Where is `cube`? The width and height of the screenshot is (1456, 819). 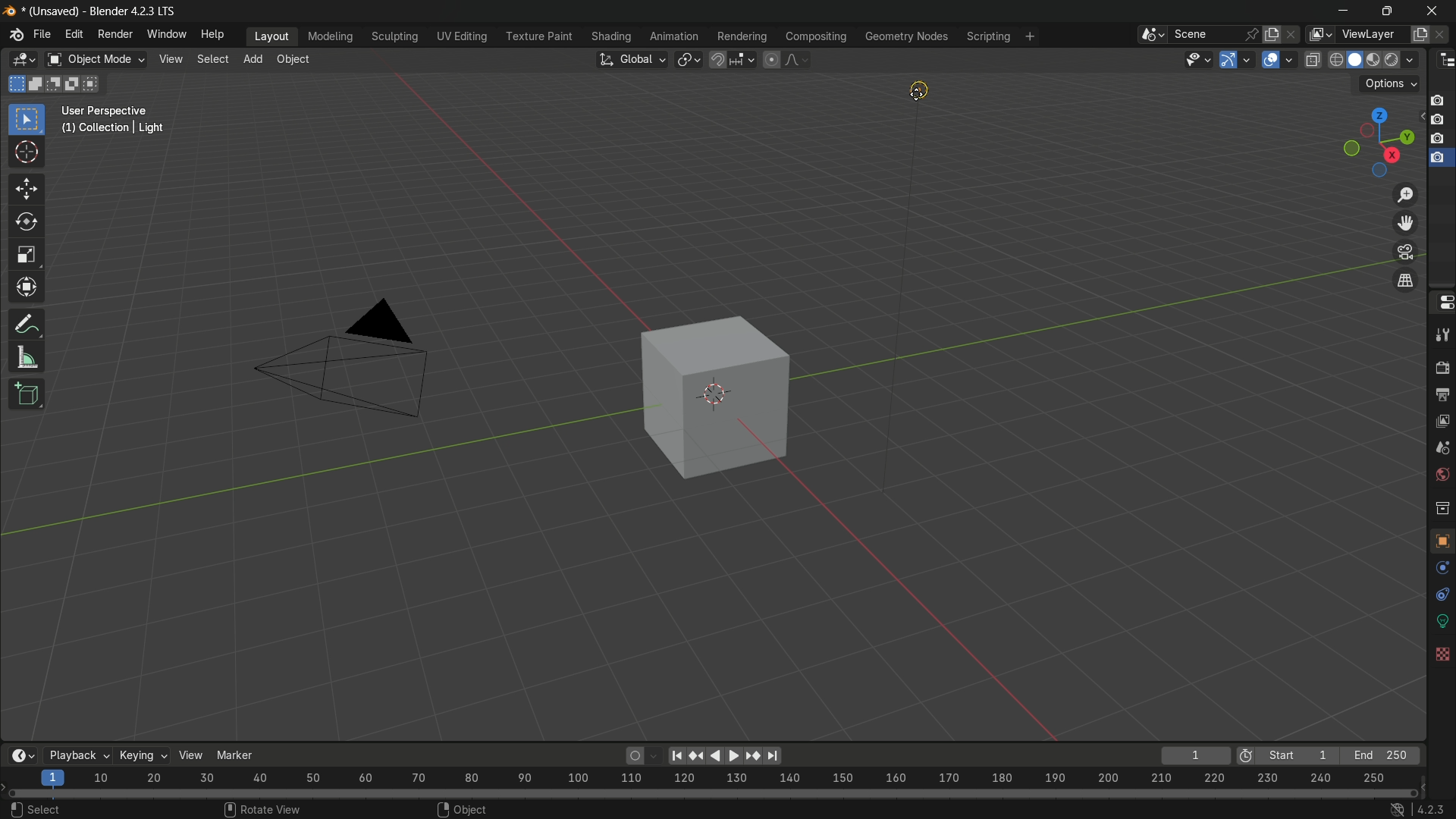 cube is located at coordinates (717, 396).